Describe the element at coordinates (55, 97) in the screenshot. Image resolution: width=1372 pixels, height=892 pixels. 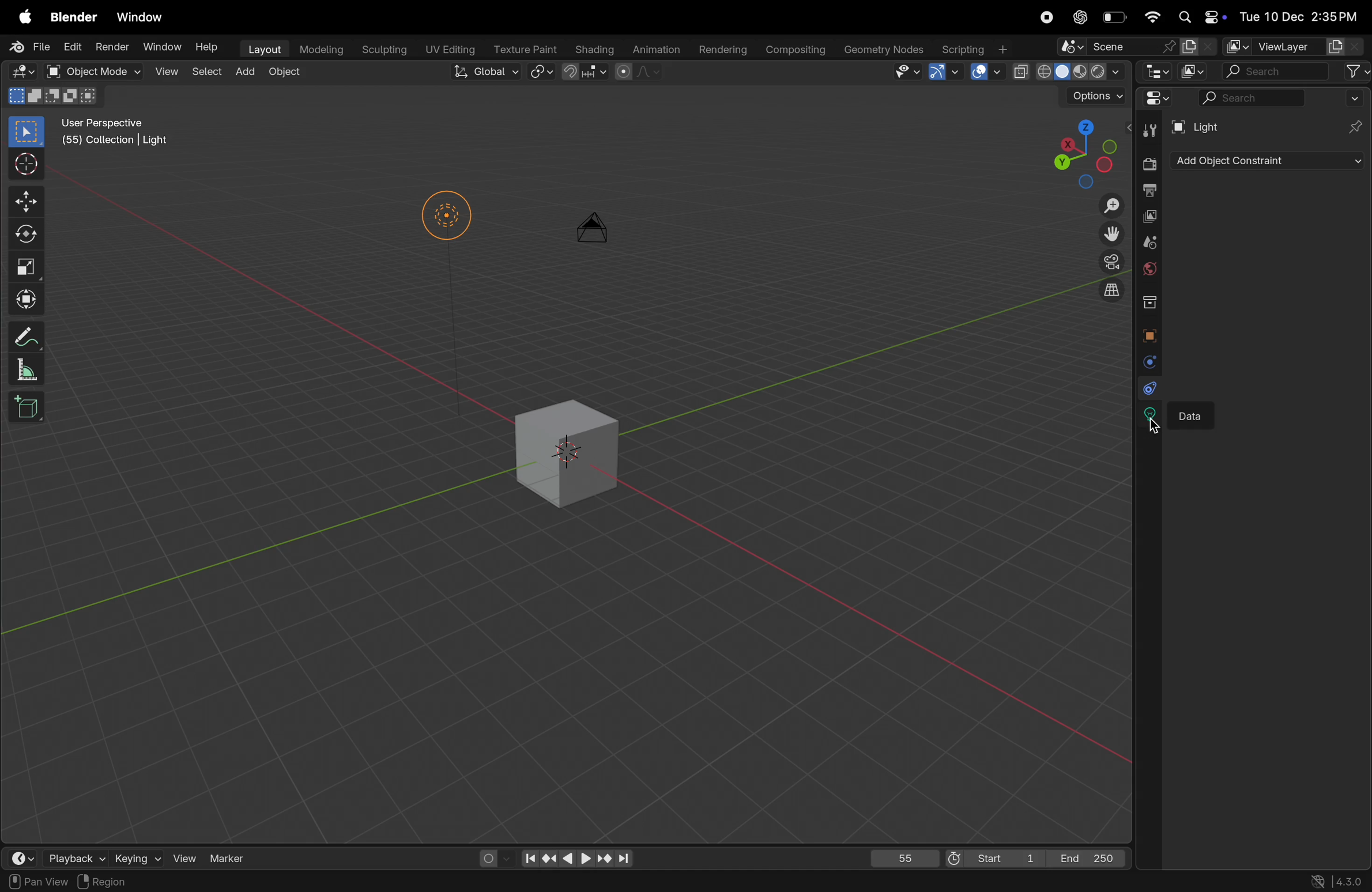
I see `modes` at that location.